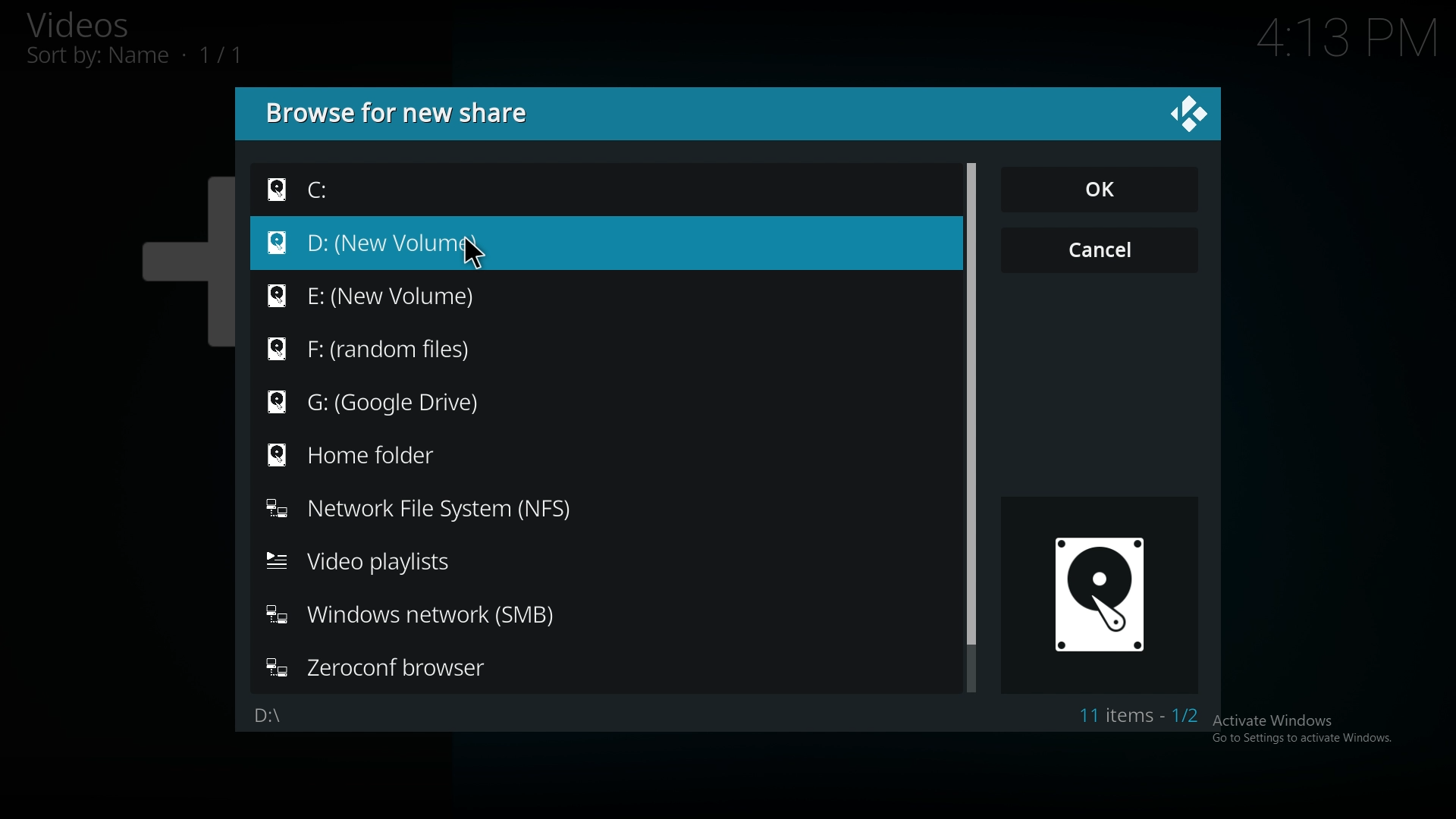 This screenshot has height=819, width=1456. I want to click on folder name, so click(270, 717).